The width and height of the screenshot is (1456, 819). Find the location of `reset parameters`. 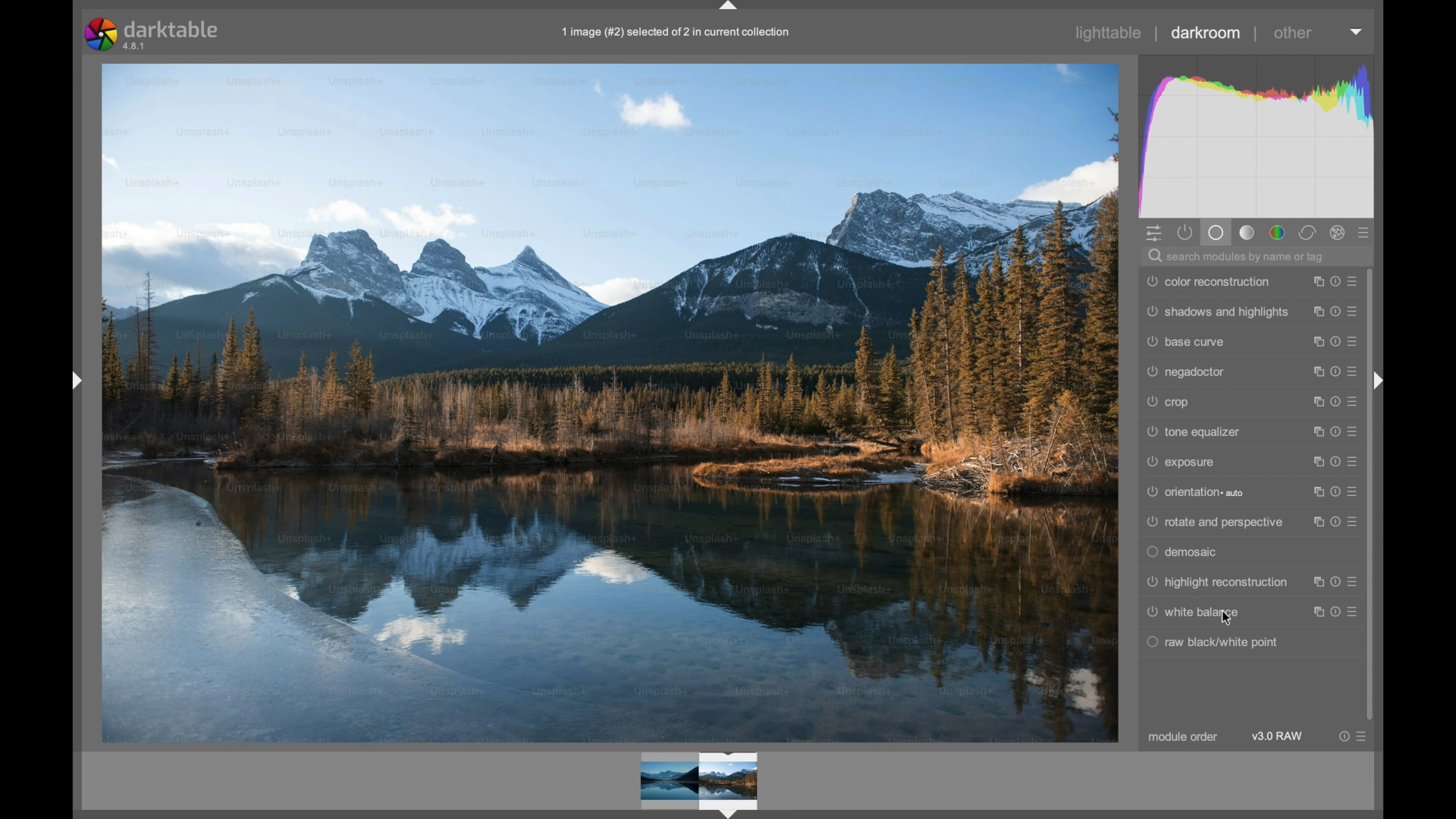

reset parameters is located at coordinates (1334, 341).